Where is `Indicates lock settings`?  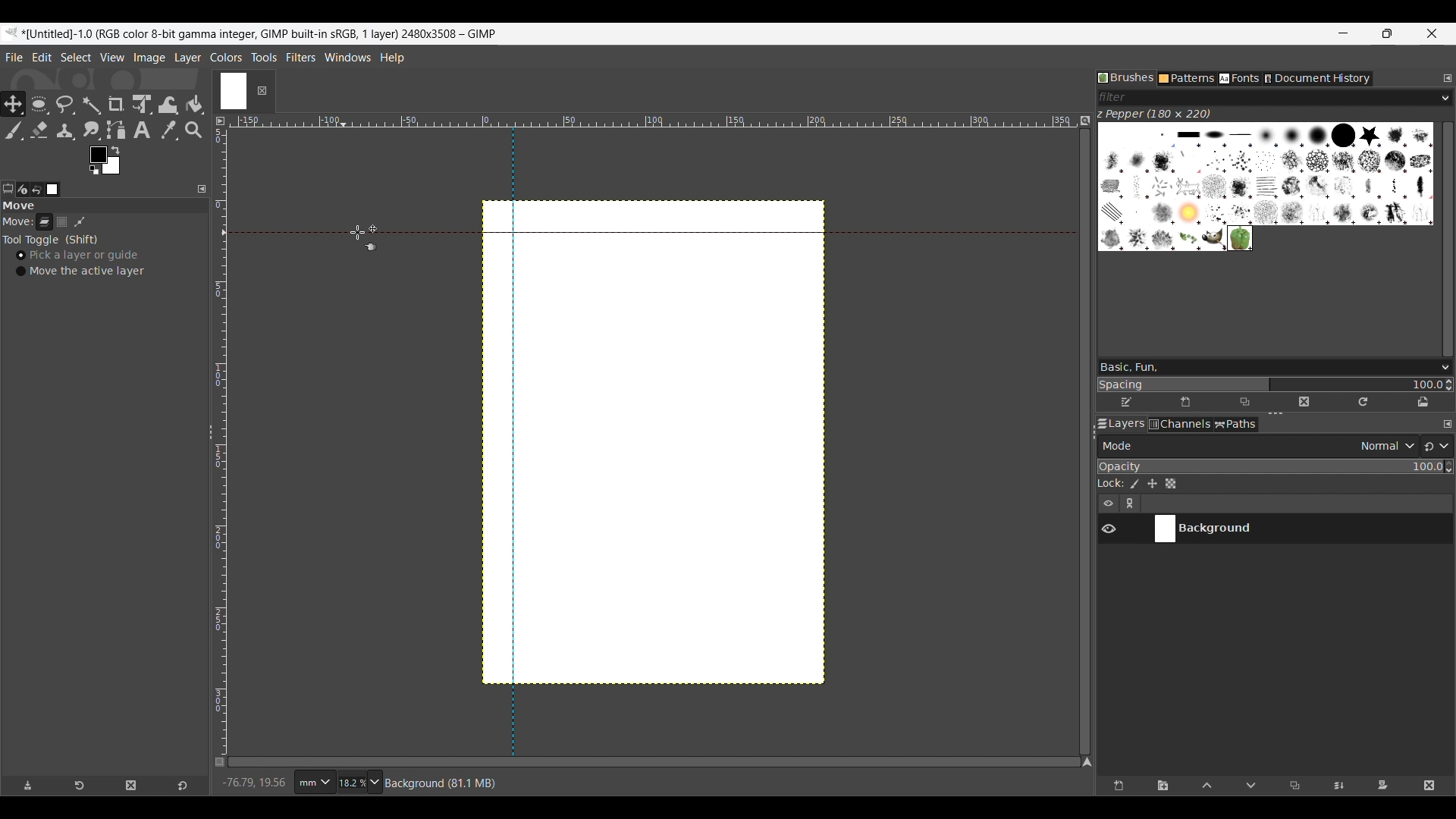
Indicates lock settings is located at coordinates (1111, 483).